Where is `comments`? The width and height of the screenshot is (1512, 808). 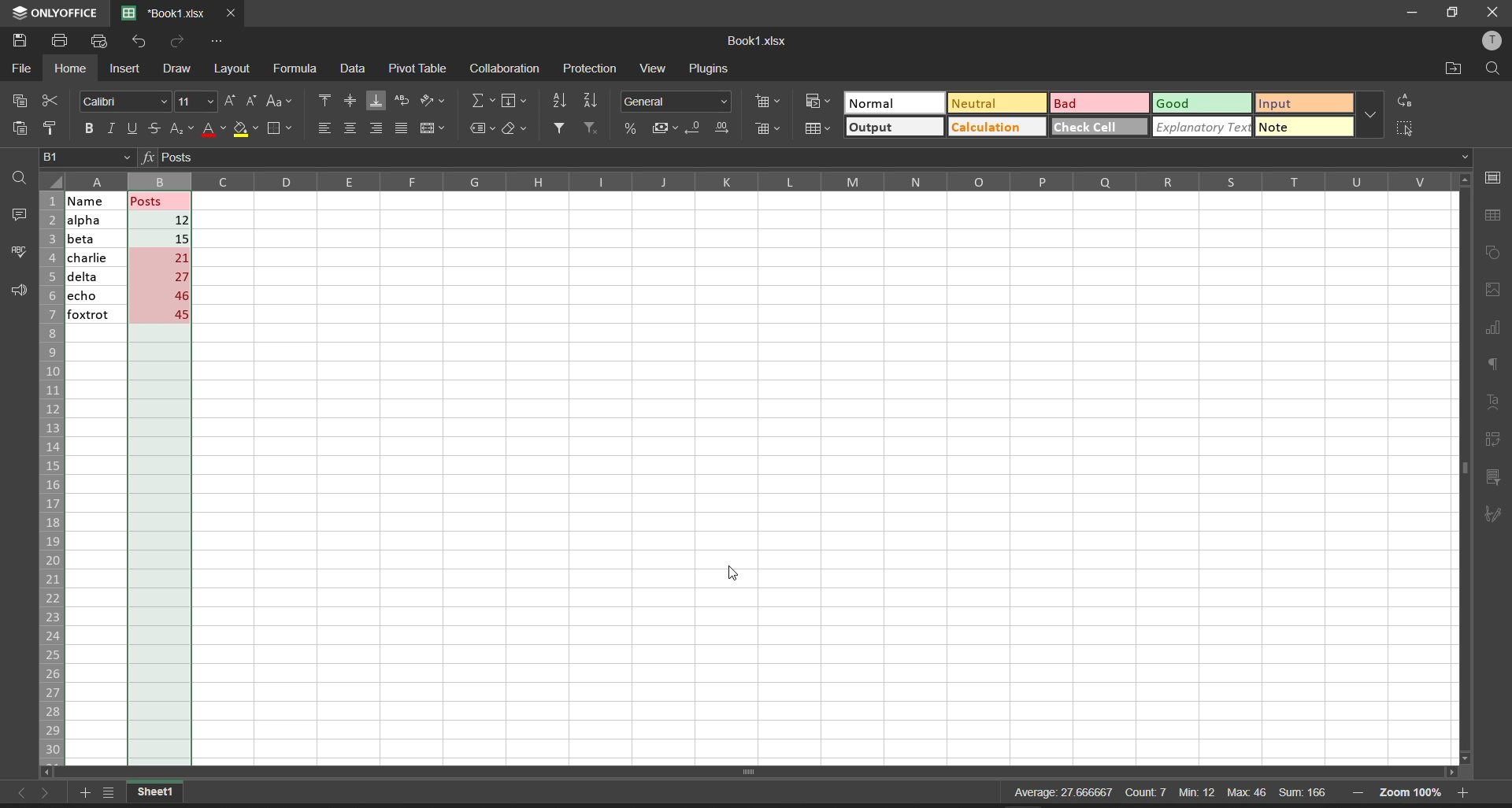
comments is located at coordinates (19, 218).